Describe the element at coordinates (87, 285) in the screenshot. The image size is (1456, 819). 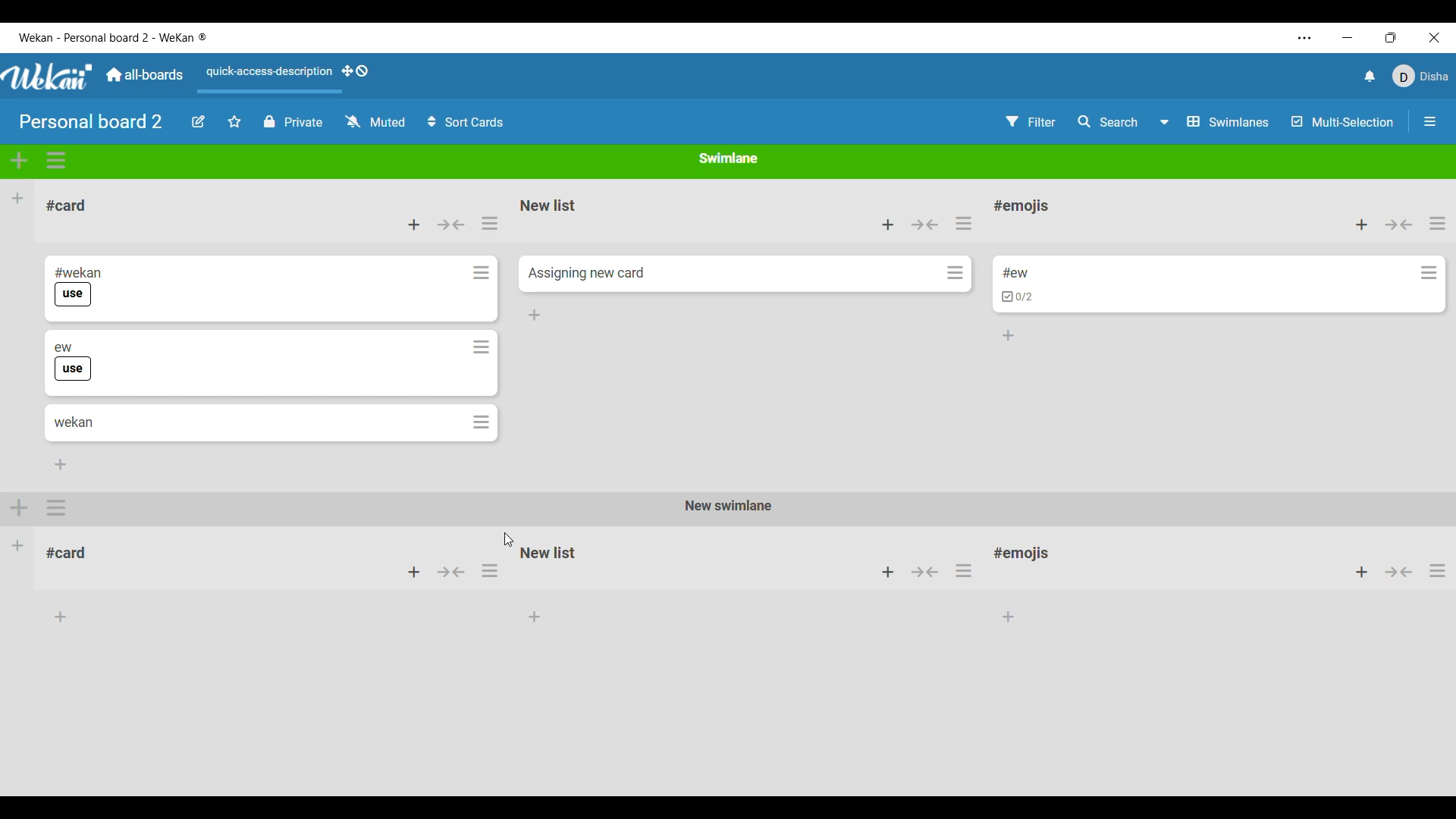
I see `Card title and checklist` at that location.